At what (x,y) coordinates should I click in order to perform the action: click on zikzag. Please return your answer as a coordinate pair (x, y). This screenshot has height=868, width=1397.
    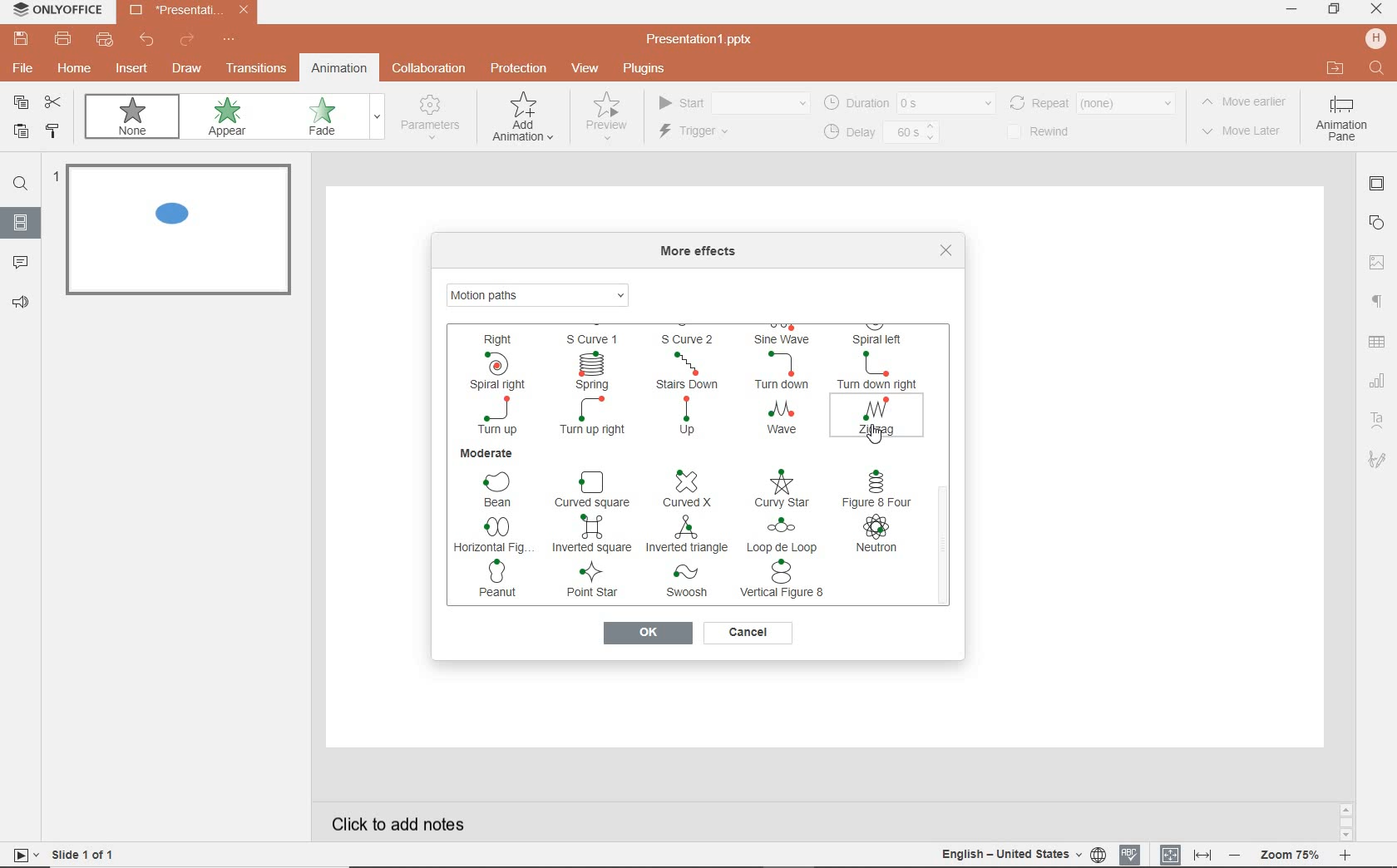
    Looking at the image, I should click on (877, 416).